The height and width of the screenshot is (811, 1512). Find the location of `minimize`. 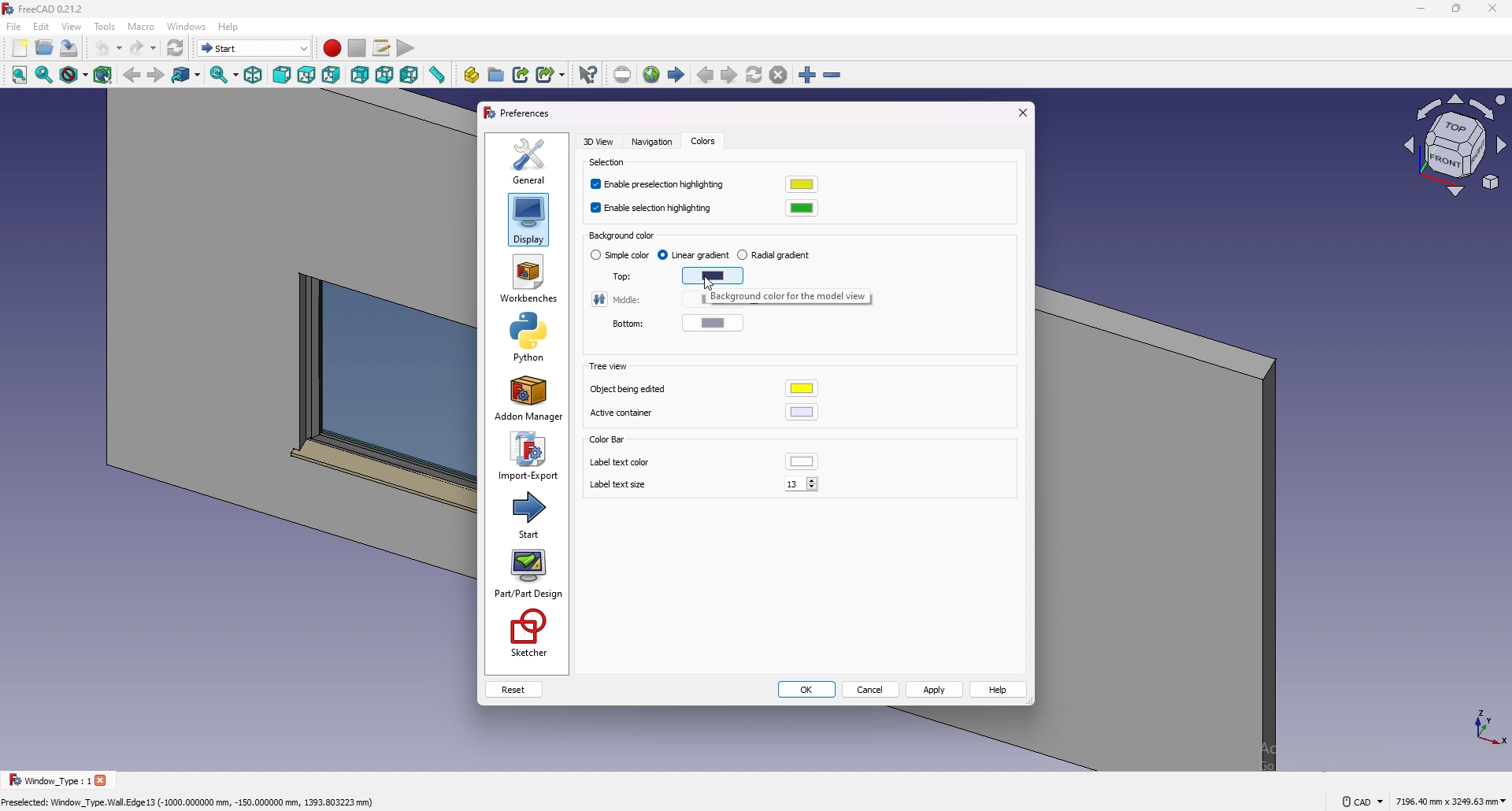

minimize is located at coordinates (1417, 9).